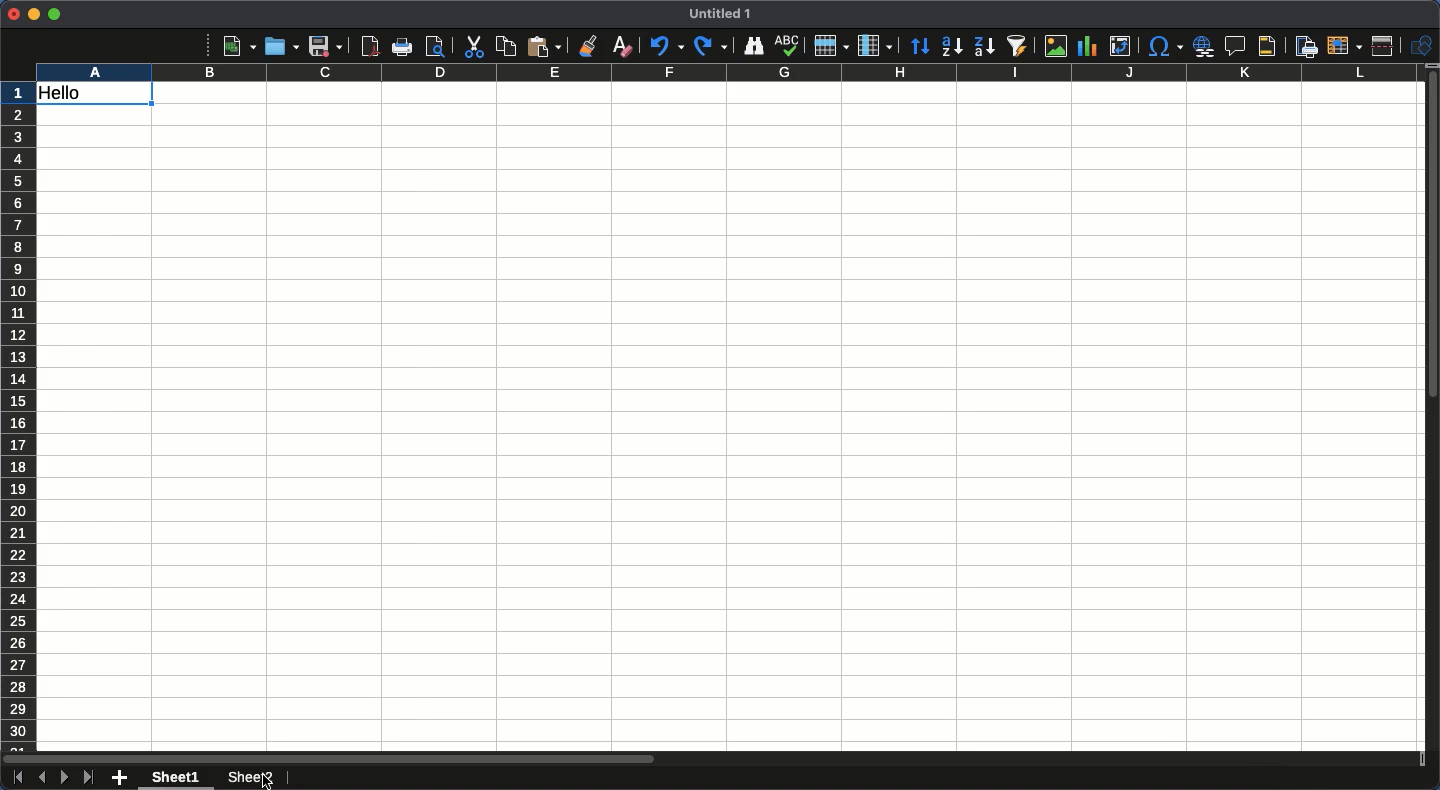  Describe the element at coordinates (325, 46) in the screenshot. I see `Save` at that location.